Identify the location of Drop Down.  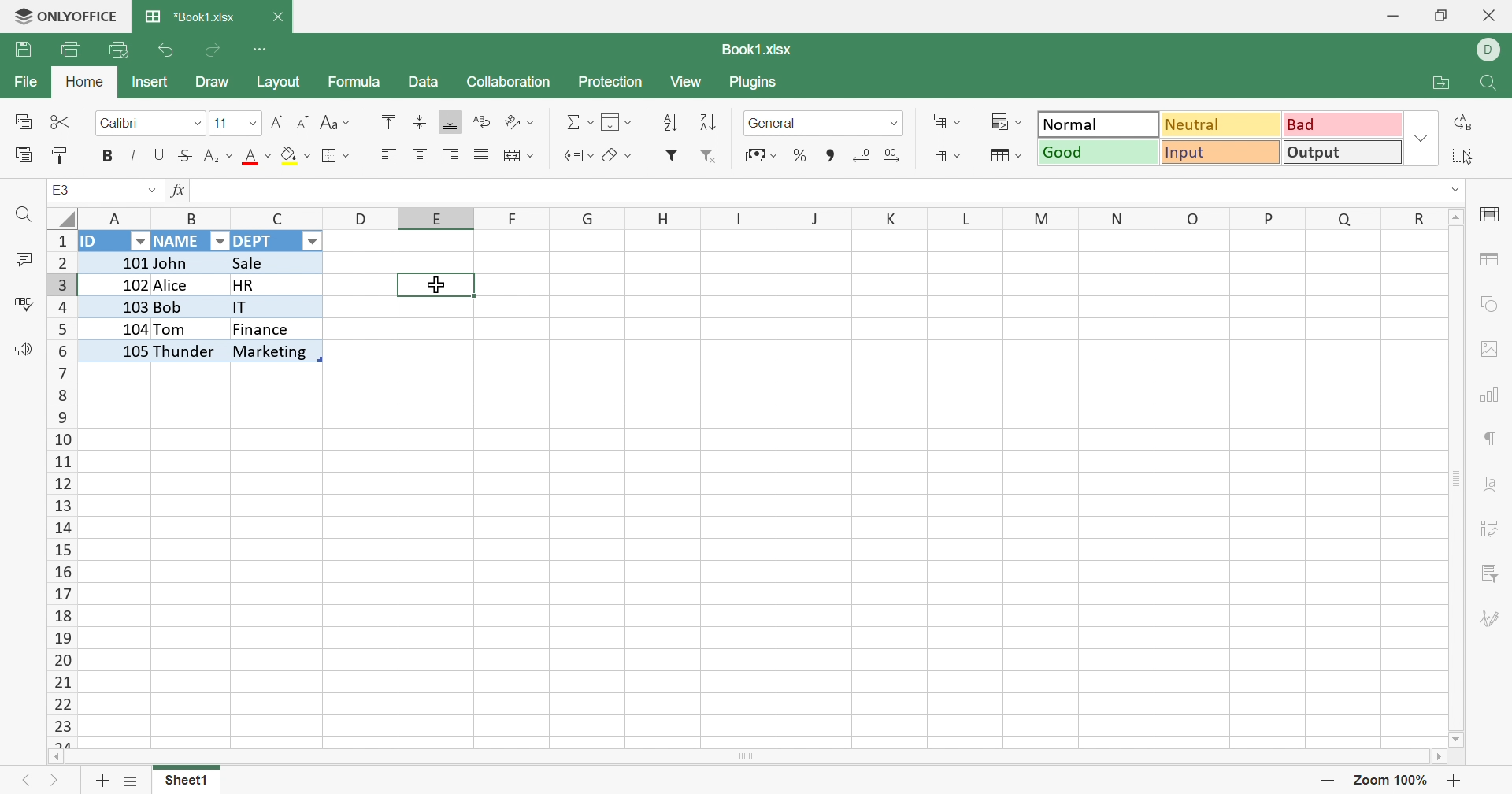
(1457, 191).